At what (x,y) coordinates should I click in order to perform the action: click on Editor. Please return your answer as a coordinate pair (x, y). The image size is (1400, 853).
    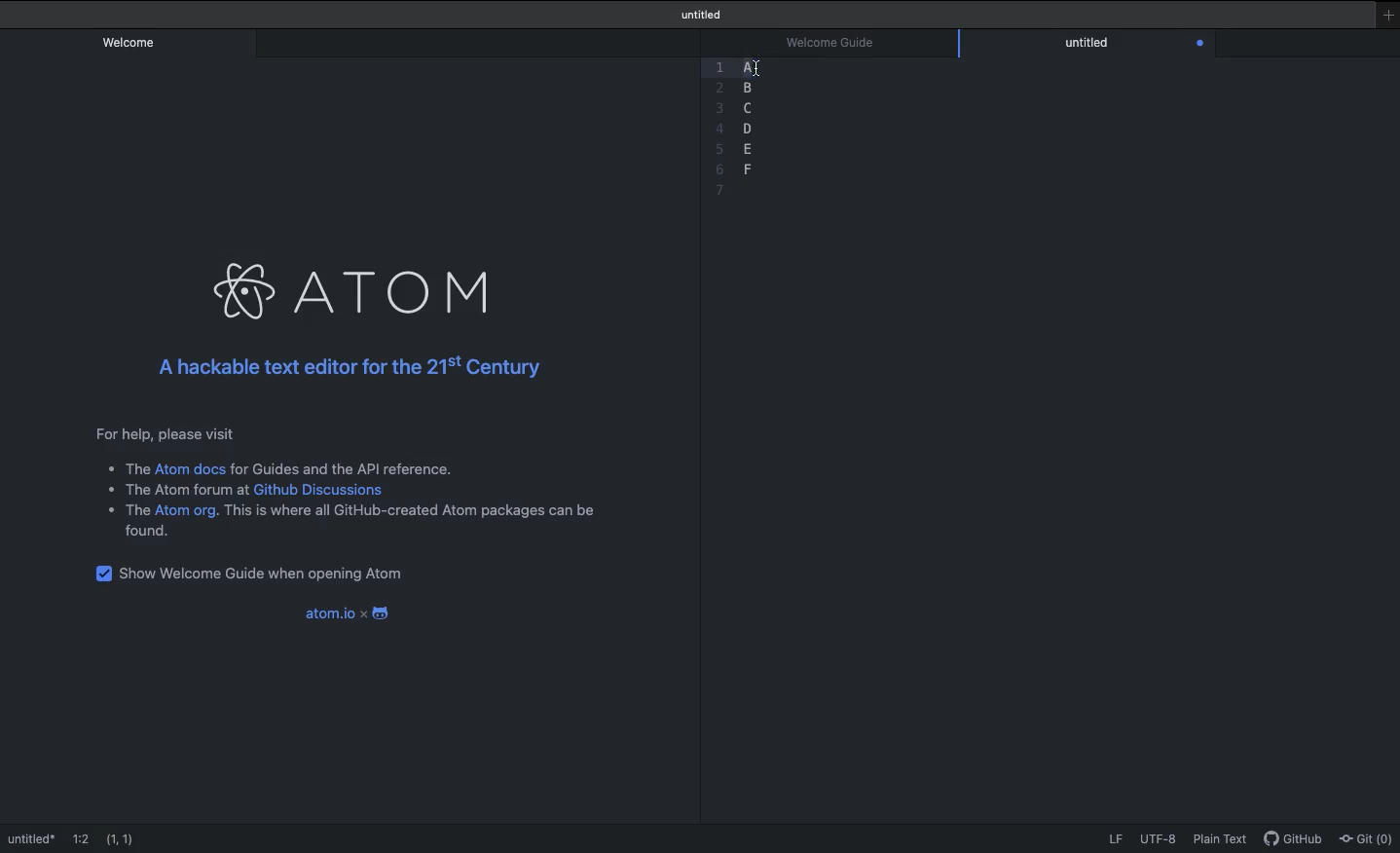
    Looking at the image, I should click on (1089, 42).